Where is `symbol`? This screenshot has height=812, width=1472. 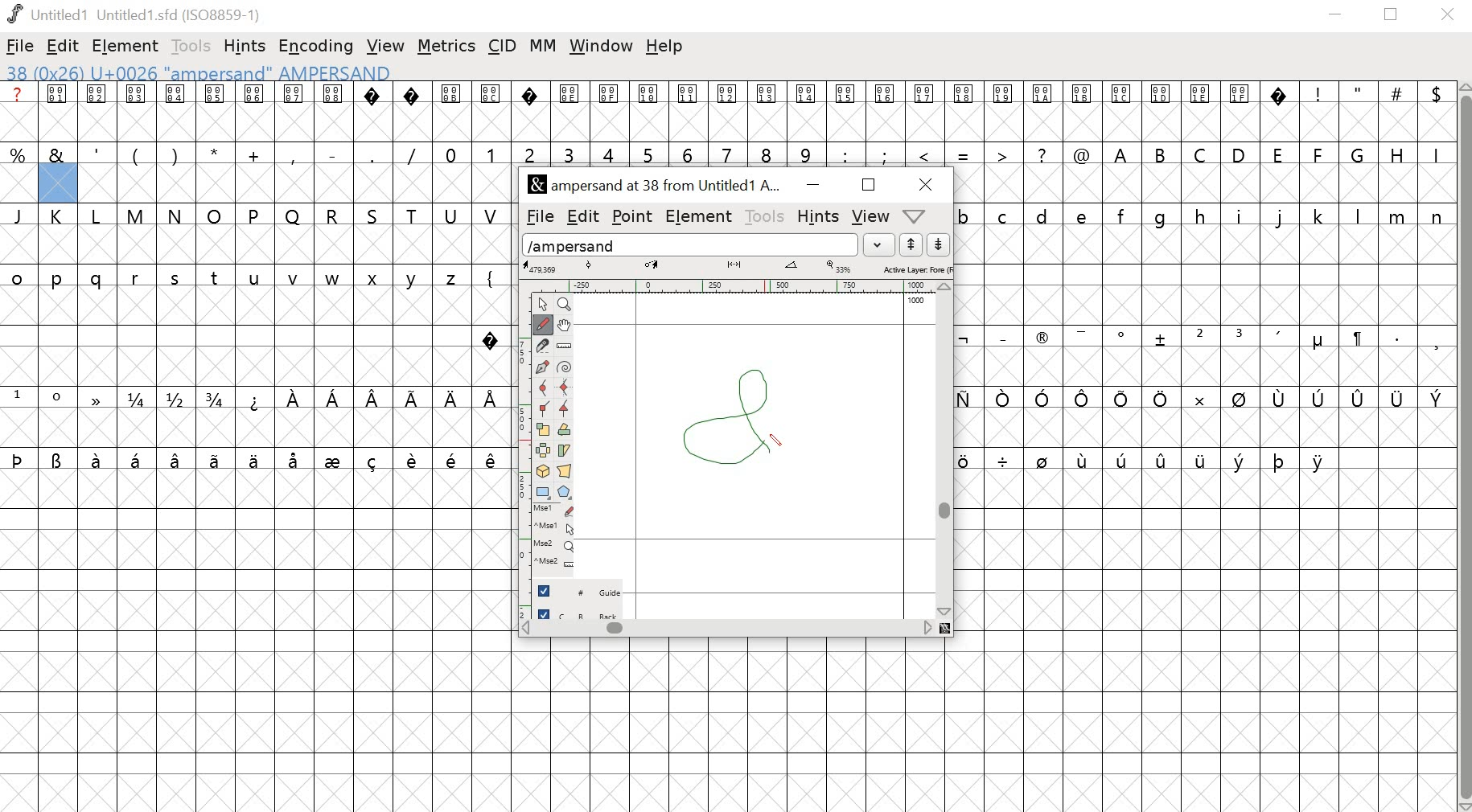
symbol is located at coordinates (1359, 399).